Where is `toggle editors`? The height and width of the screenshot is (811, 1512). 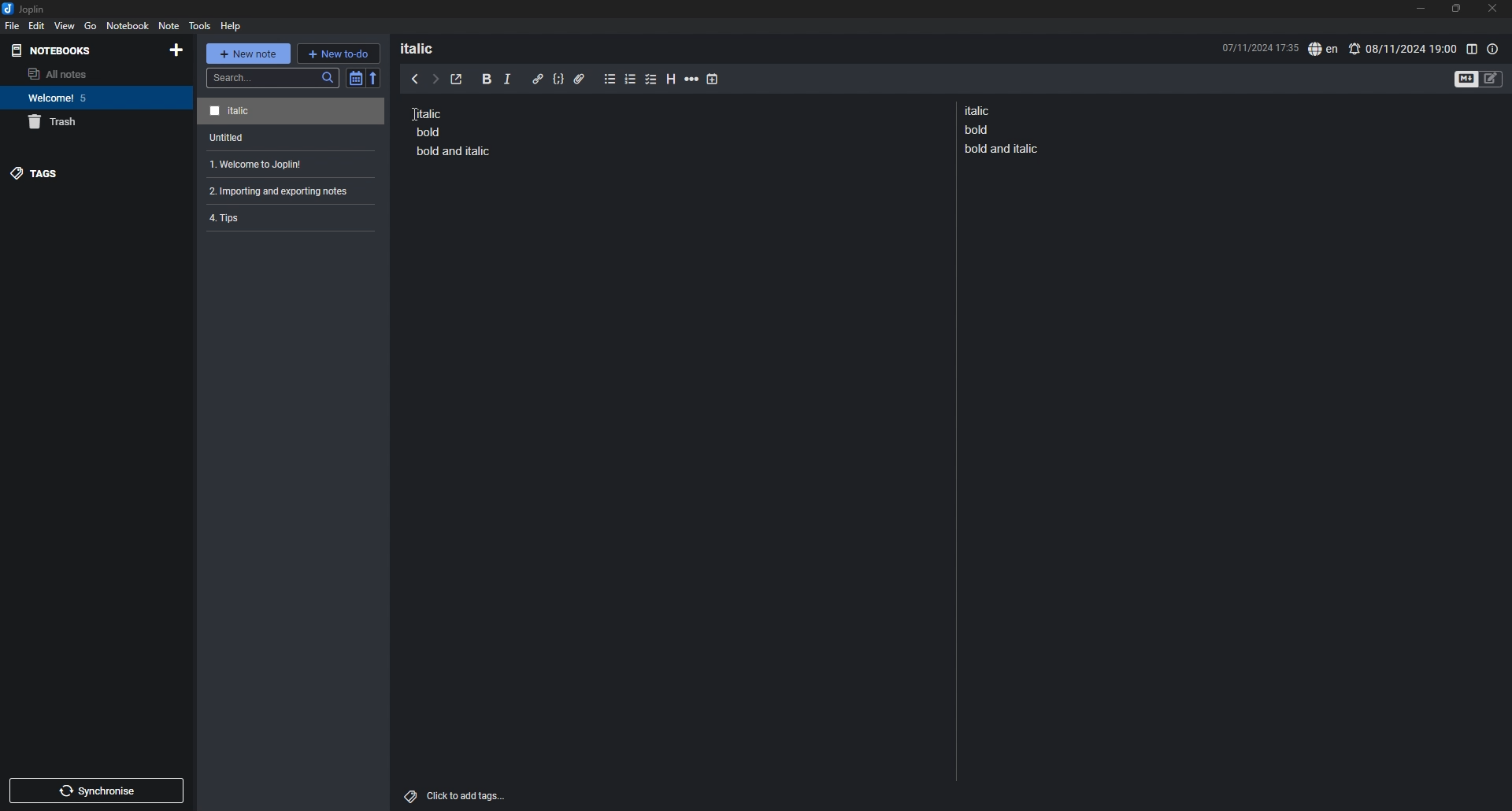 toggle editors is located at coordinates (1479, 78).